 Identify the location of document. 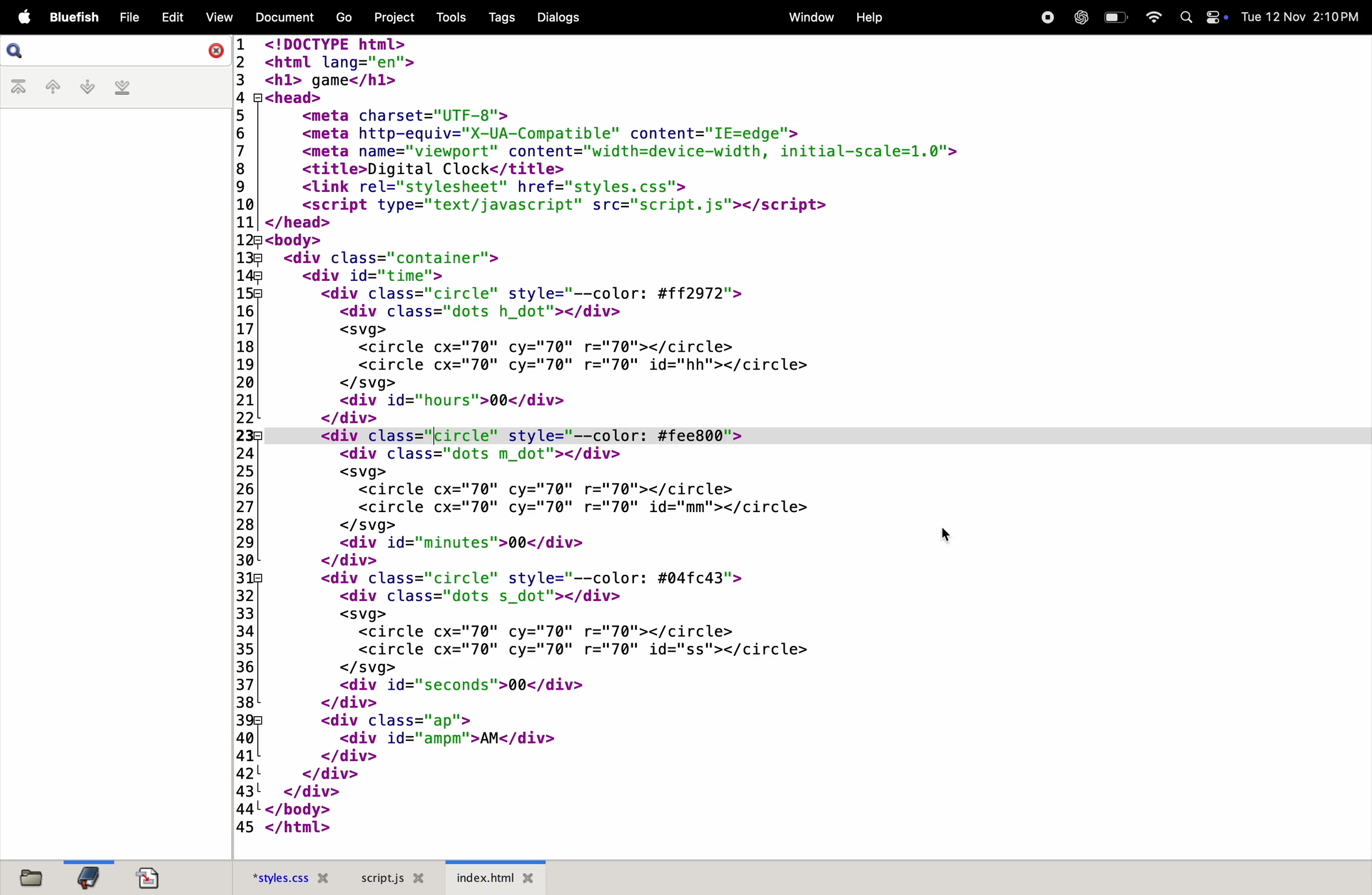
(288, 18).